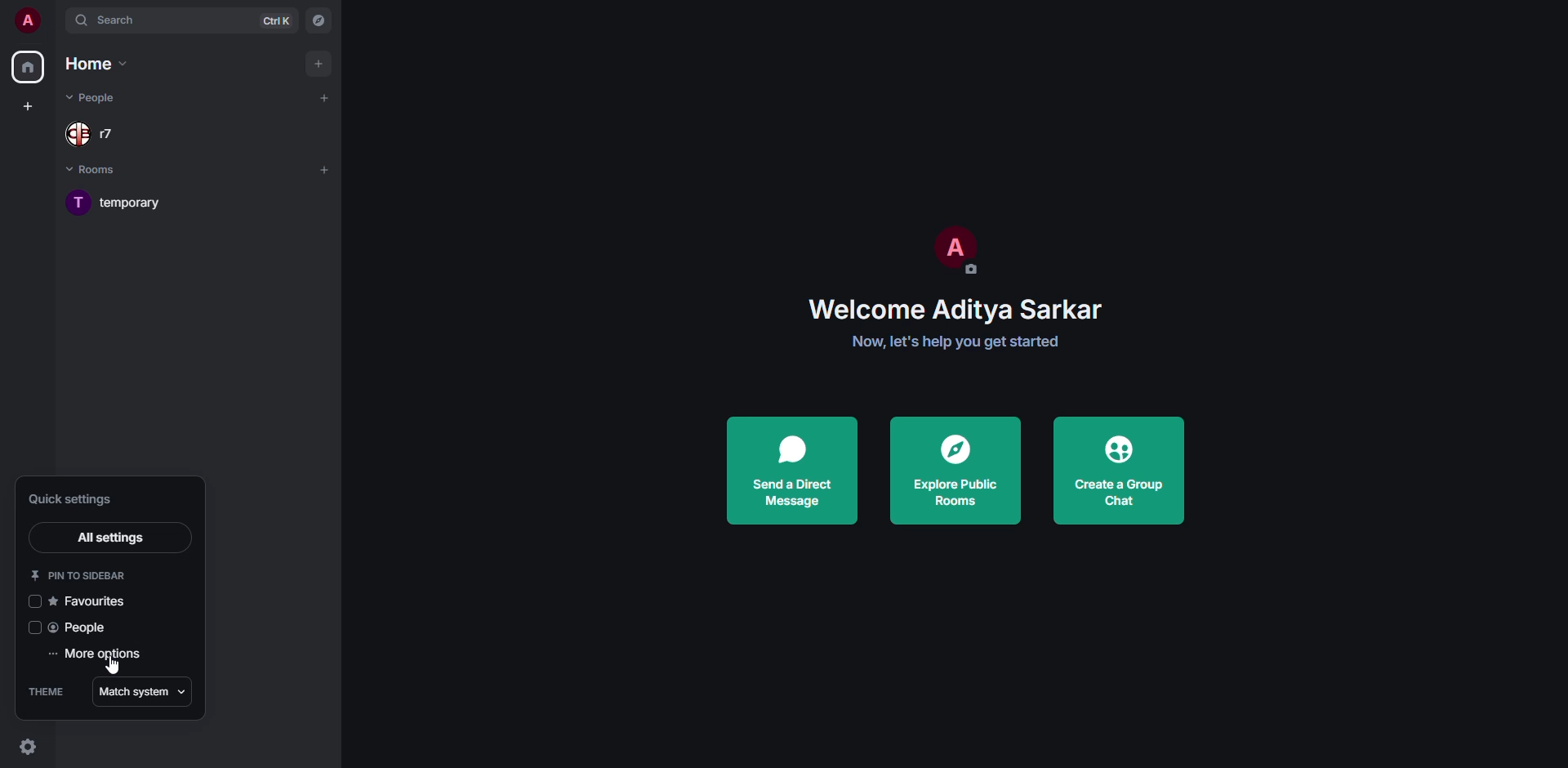 The height and width of the screenshot is (768, 1568). I want to click on people, so click(80, 627).